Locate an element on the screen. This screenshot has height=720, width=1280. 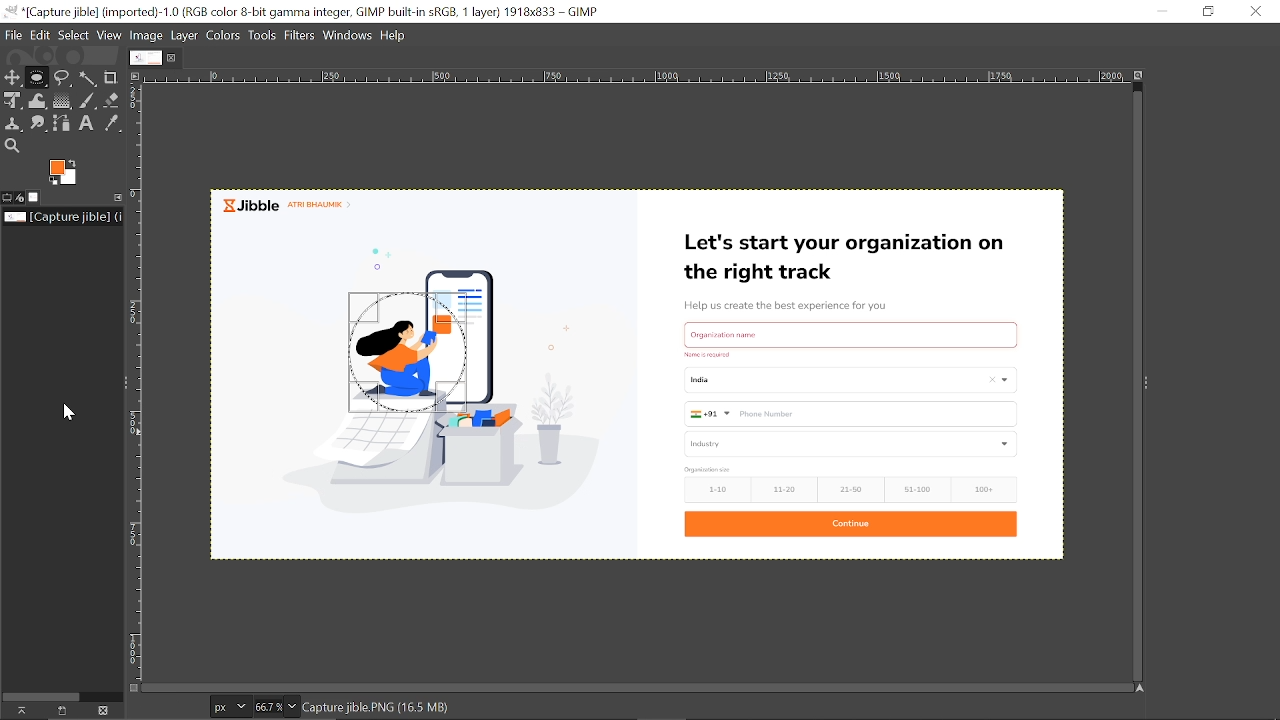
raise this images display is located at coordinates (18, 711).